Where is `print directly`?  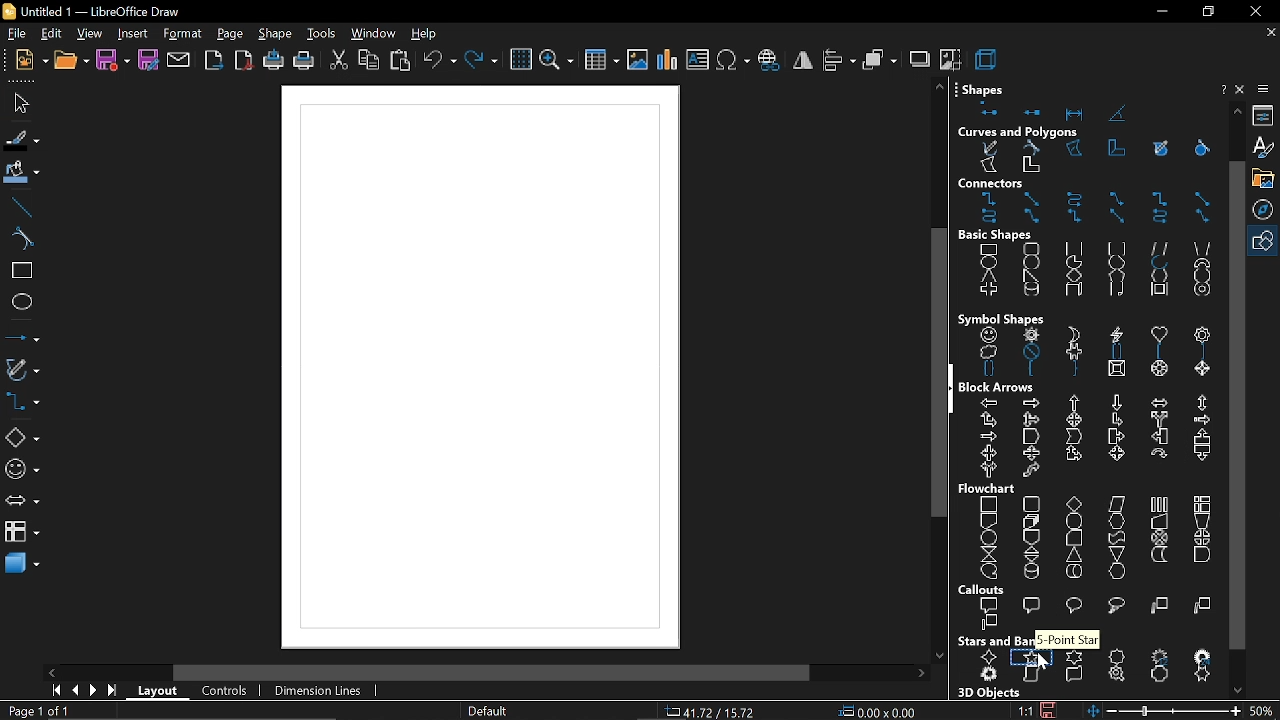
print directly is located at coordinates (271, 61).